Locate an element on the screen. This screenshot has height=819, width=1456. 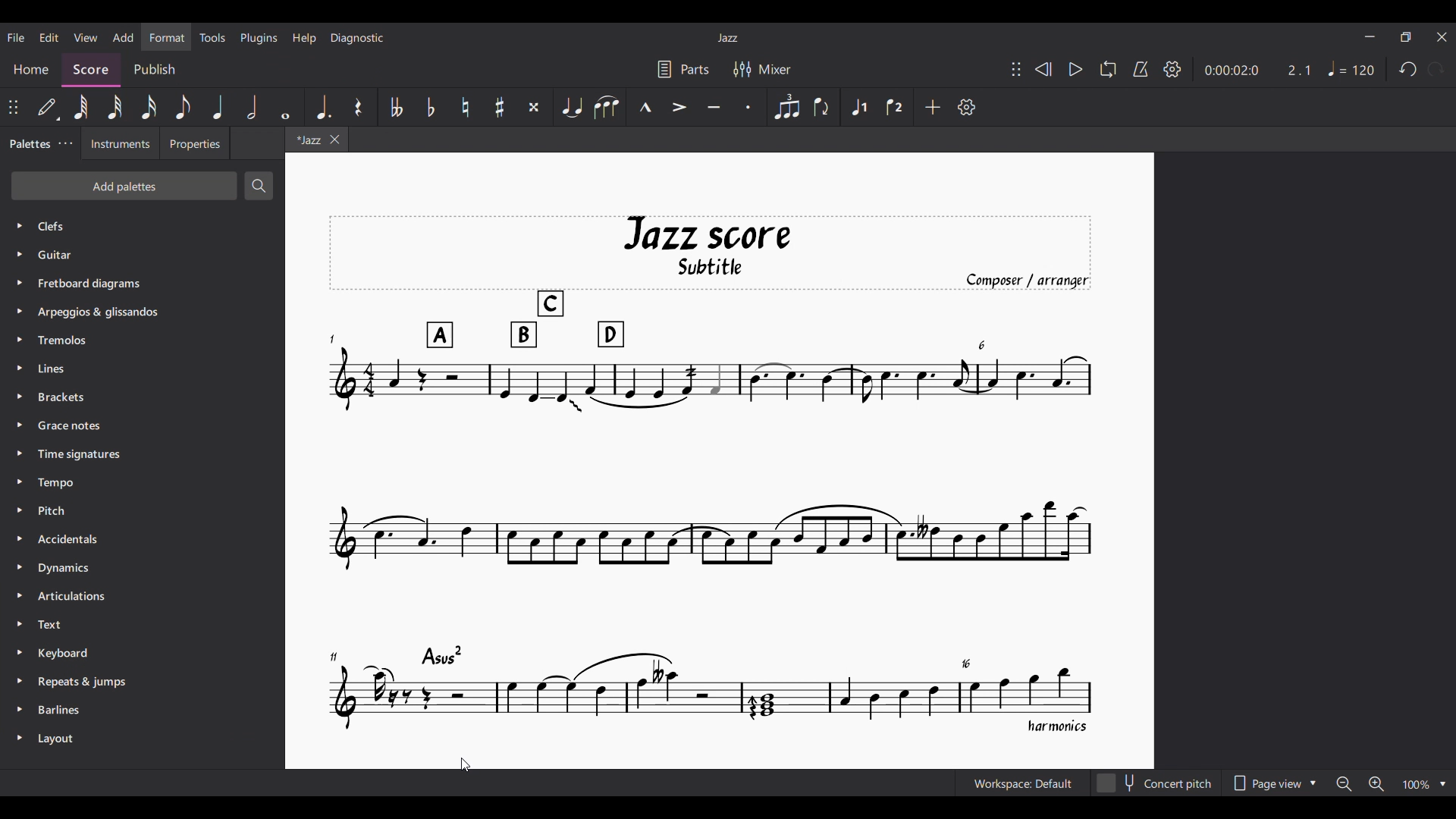
Tempo is located at coordinates (56, 482).